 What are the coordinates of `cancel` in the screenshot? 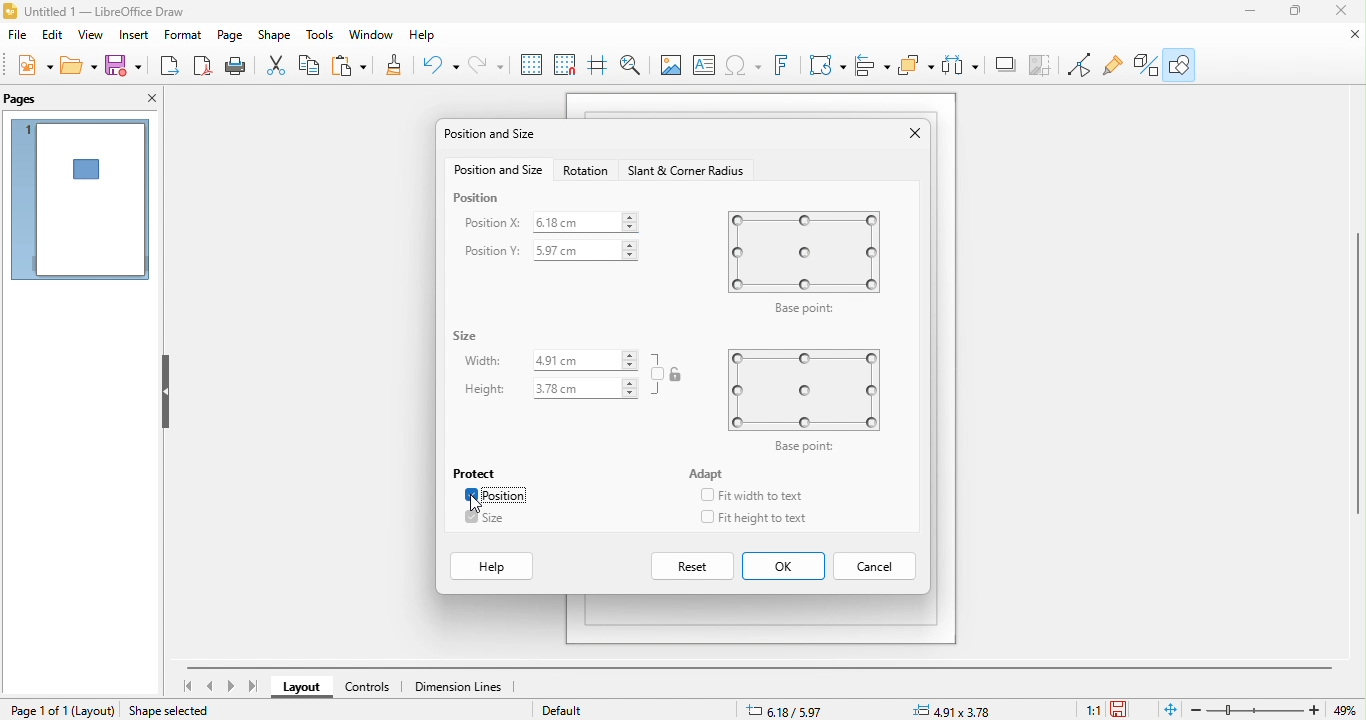 It's located at (878, 565).